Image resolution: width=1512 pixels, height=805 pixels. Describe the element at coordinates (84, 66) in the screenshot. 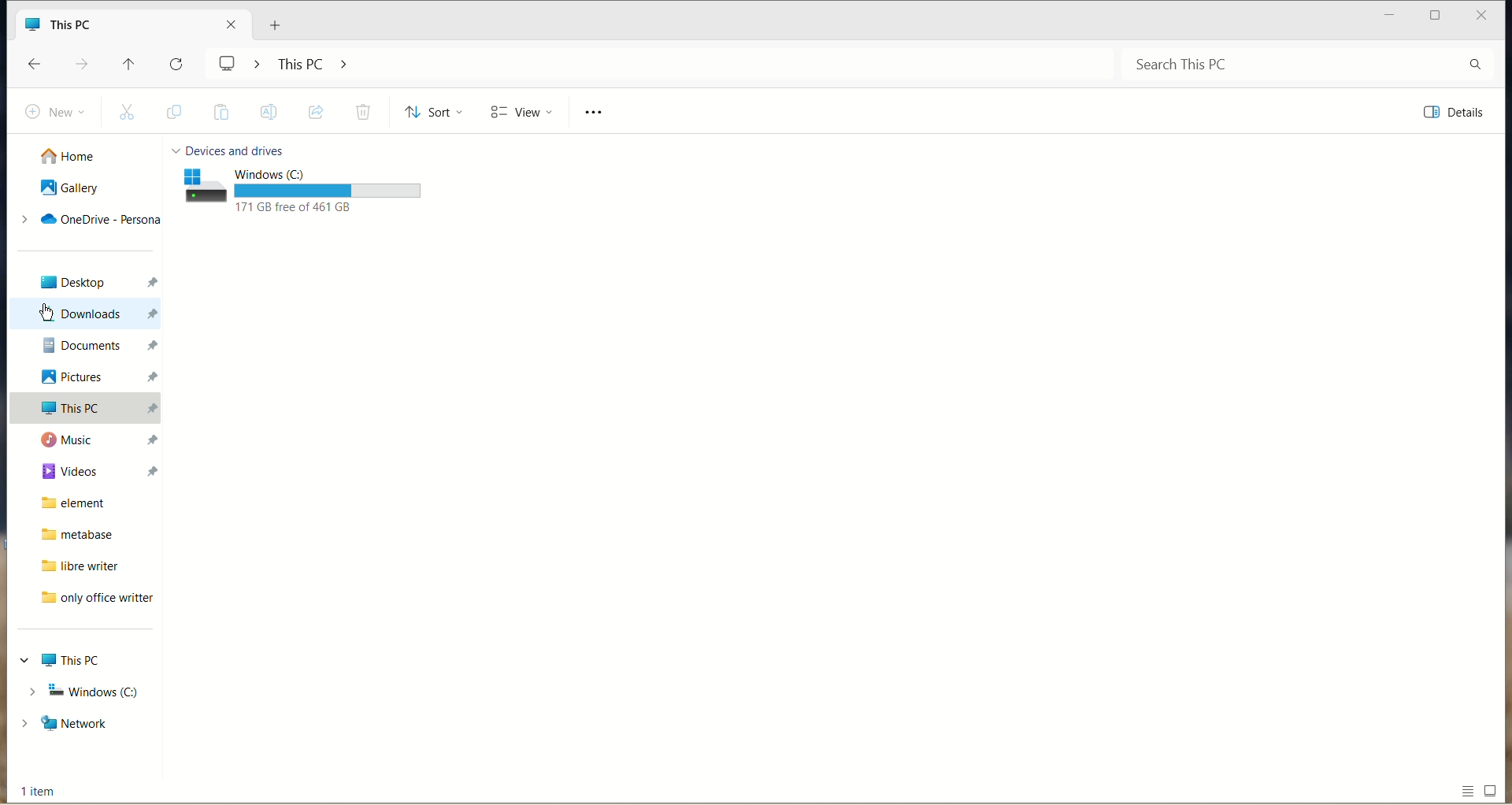

I see `next` at that location.